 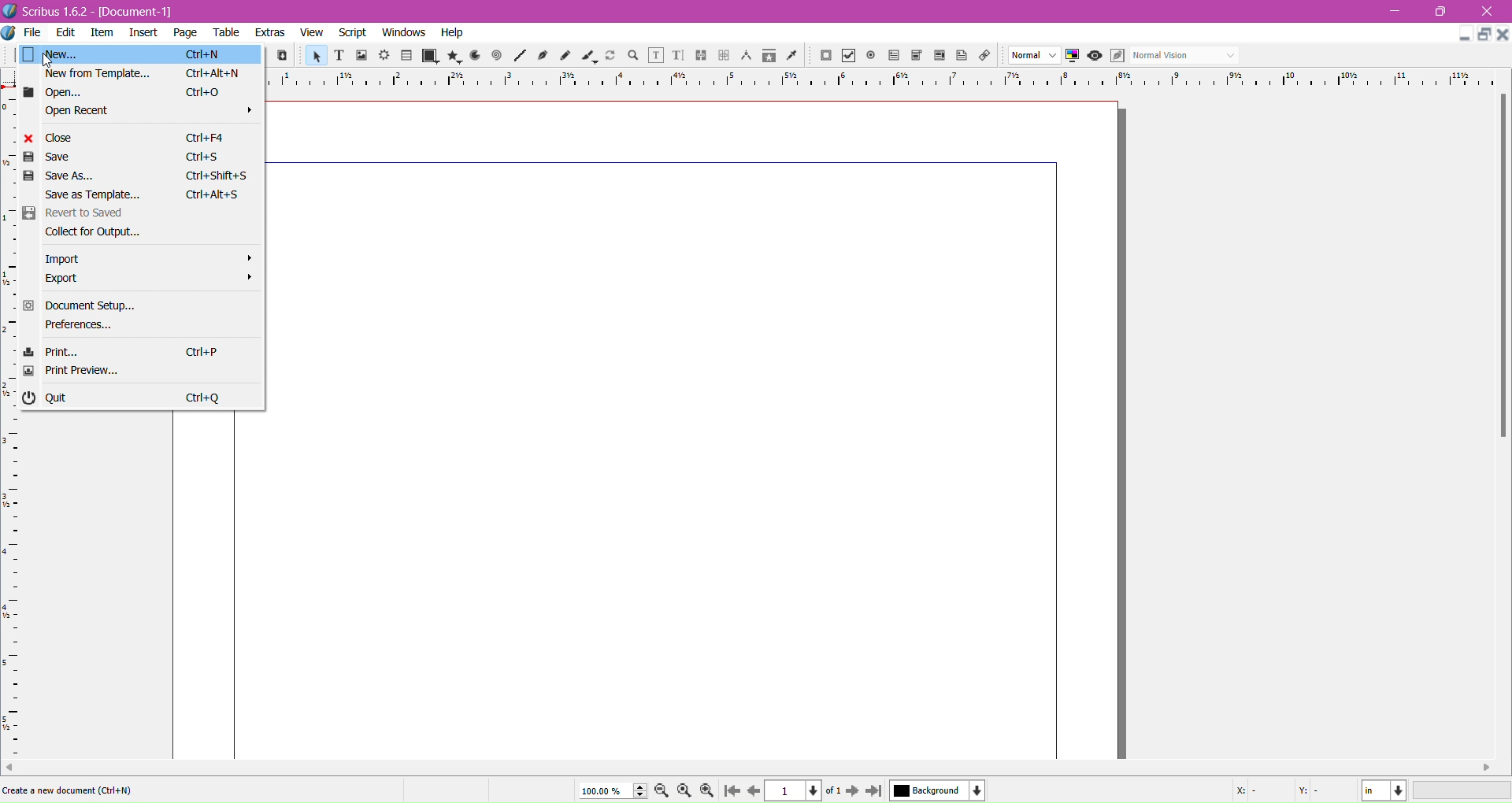 I want to click on icon, so click(x=723, y=54).